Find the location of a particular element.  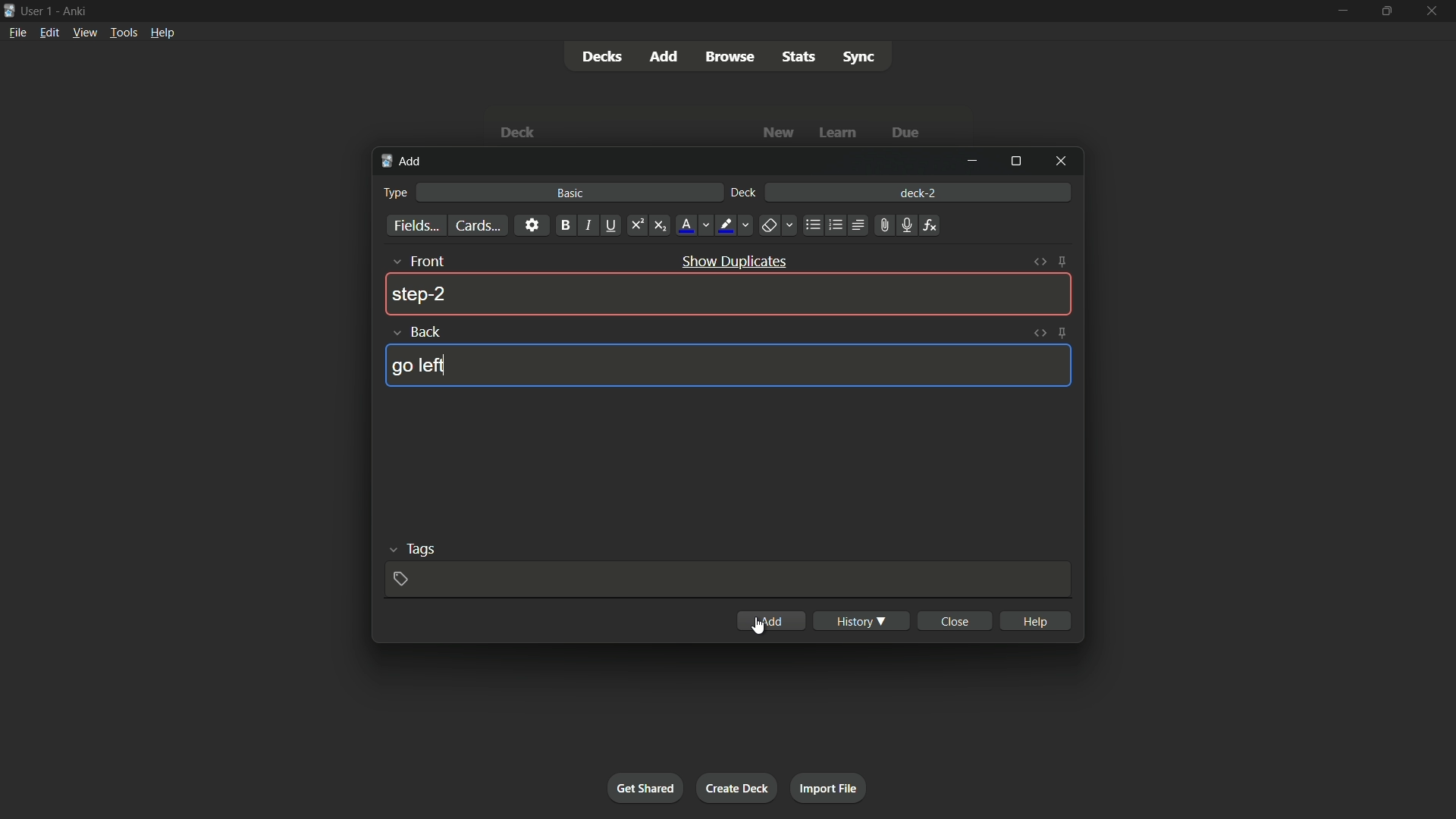

history is located at coordinates (861, 620).